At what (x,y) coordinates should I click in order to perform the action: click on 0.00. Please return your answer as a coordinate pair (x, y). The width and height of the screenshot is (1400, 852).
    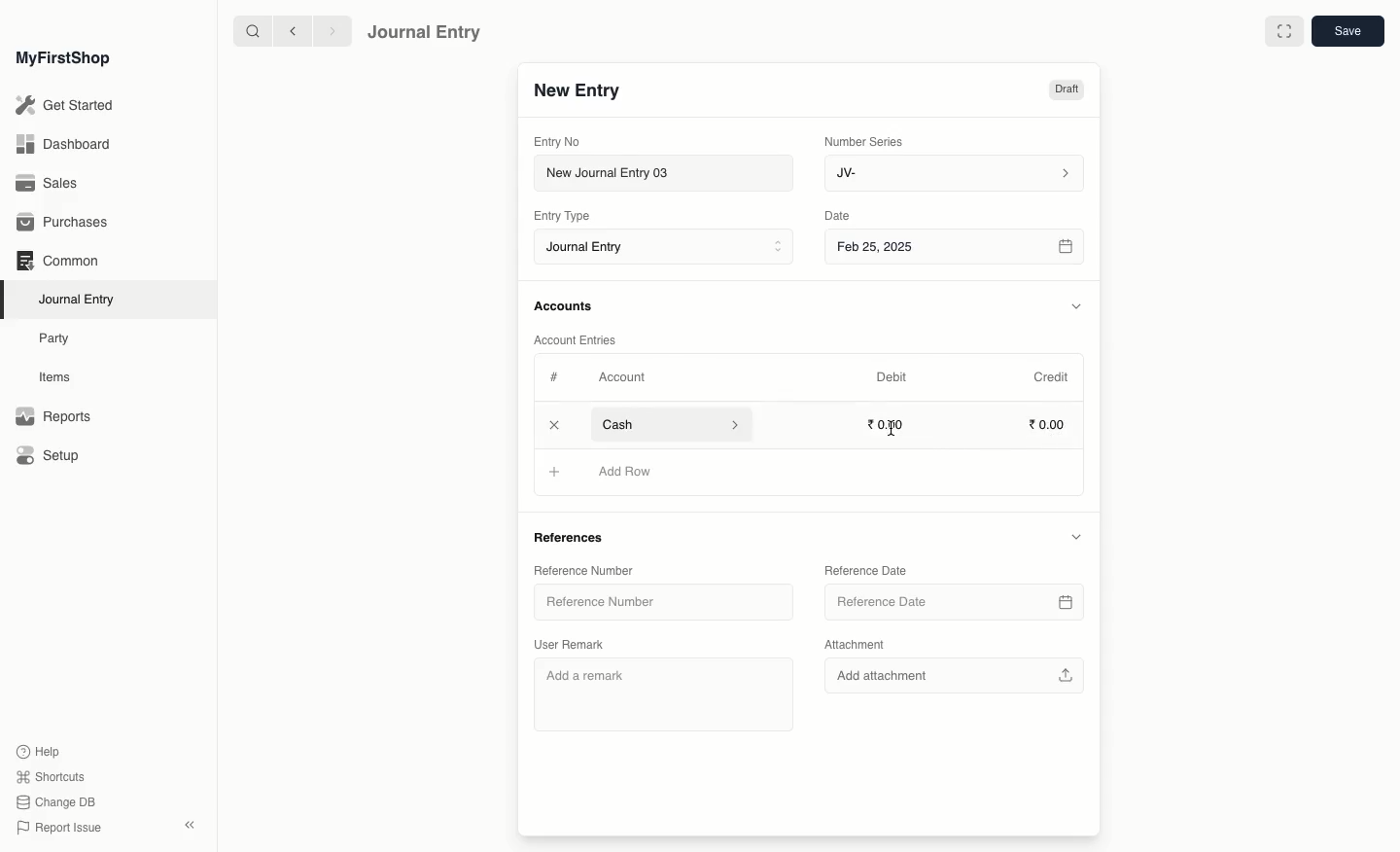
    Looking at the image, I should click on (888, 424).